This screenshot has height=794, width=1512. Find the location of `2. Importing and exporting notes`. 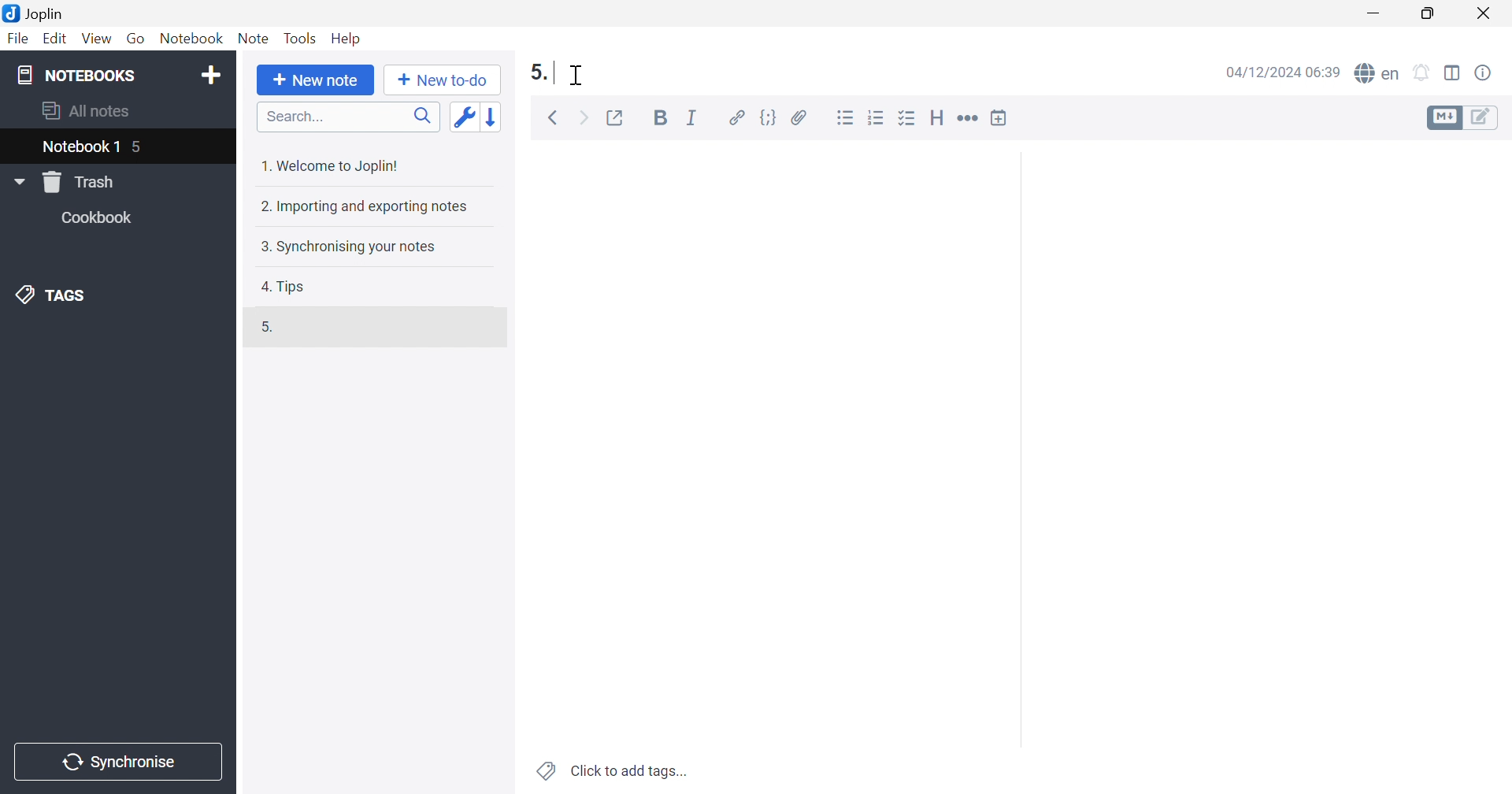

2. Importing and exporting notes is located at coordinates (369, 206).